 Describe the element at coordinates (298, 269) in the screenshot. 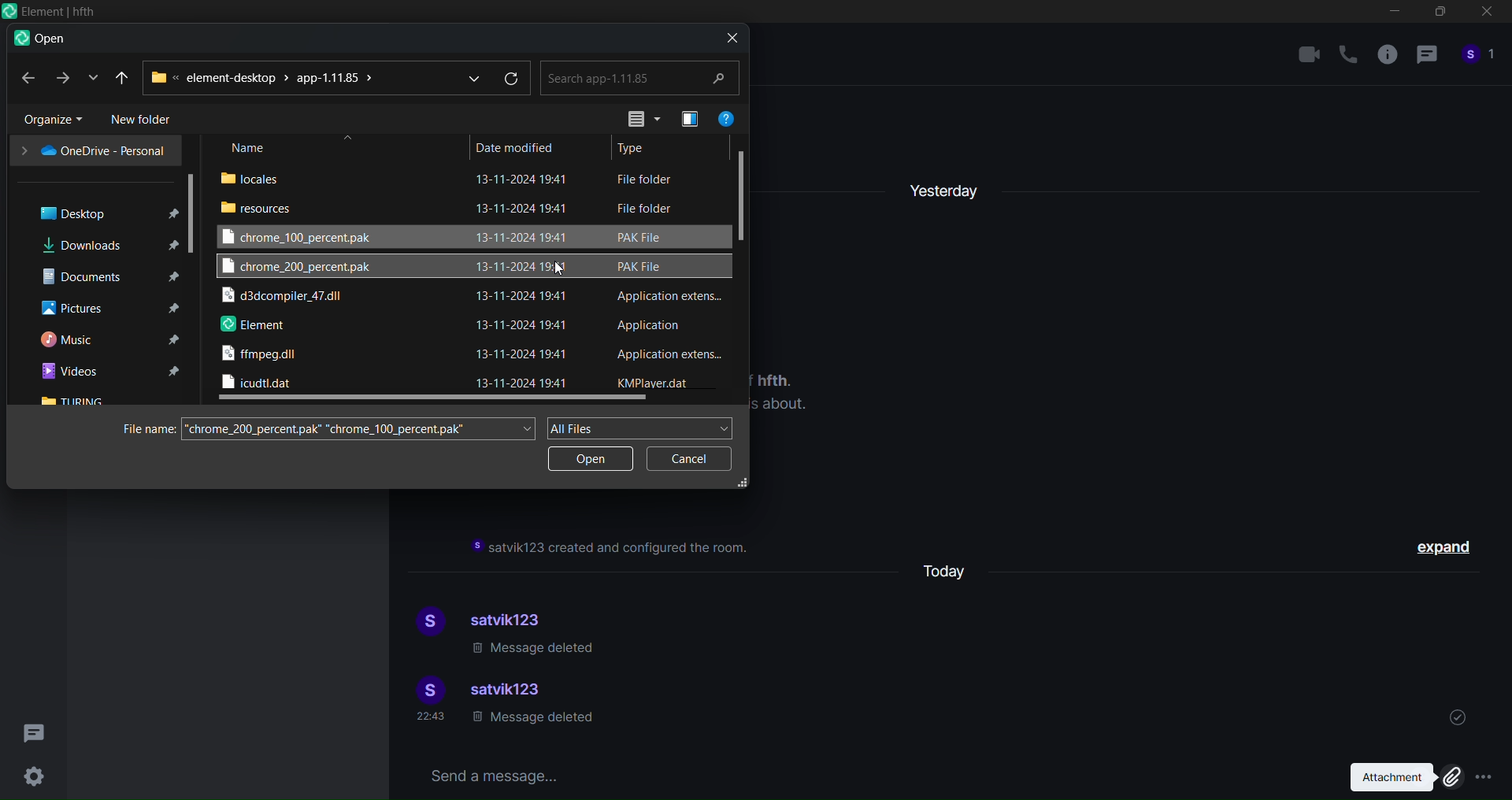

I see `chrome 200` at that location.